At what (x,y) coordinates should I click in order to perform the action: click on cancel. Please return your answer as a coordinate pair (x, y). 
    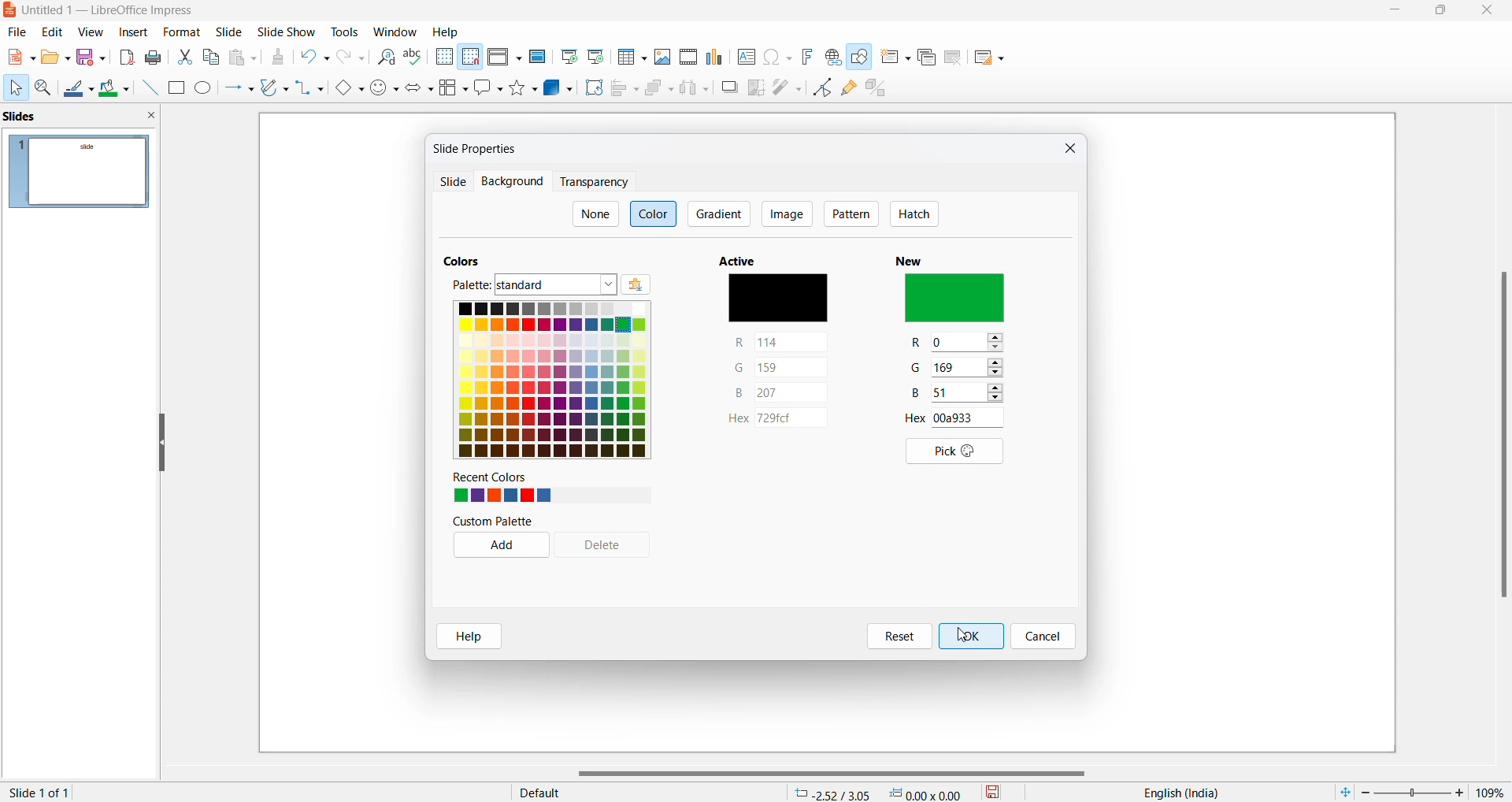
    Looking at the image, I should click on (1043, 637).